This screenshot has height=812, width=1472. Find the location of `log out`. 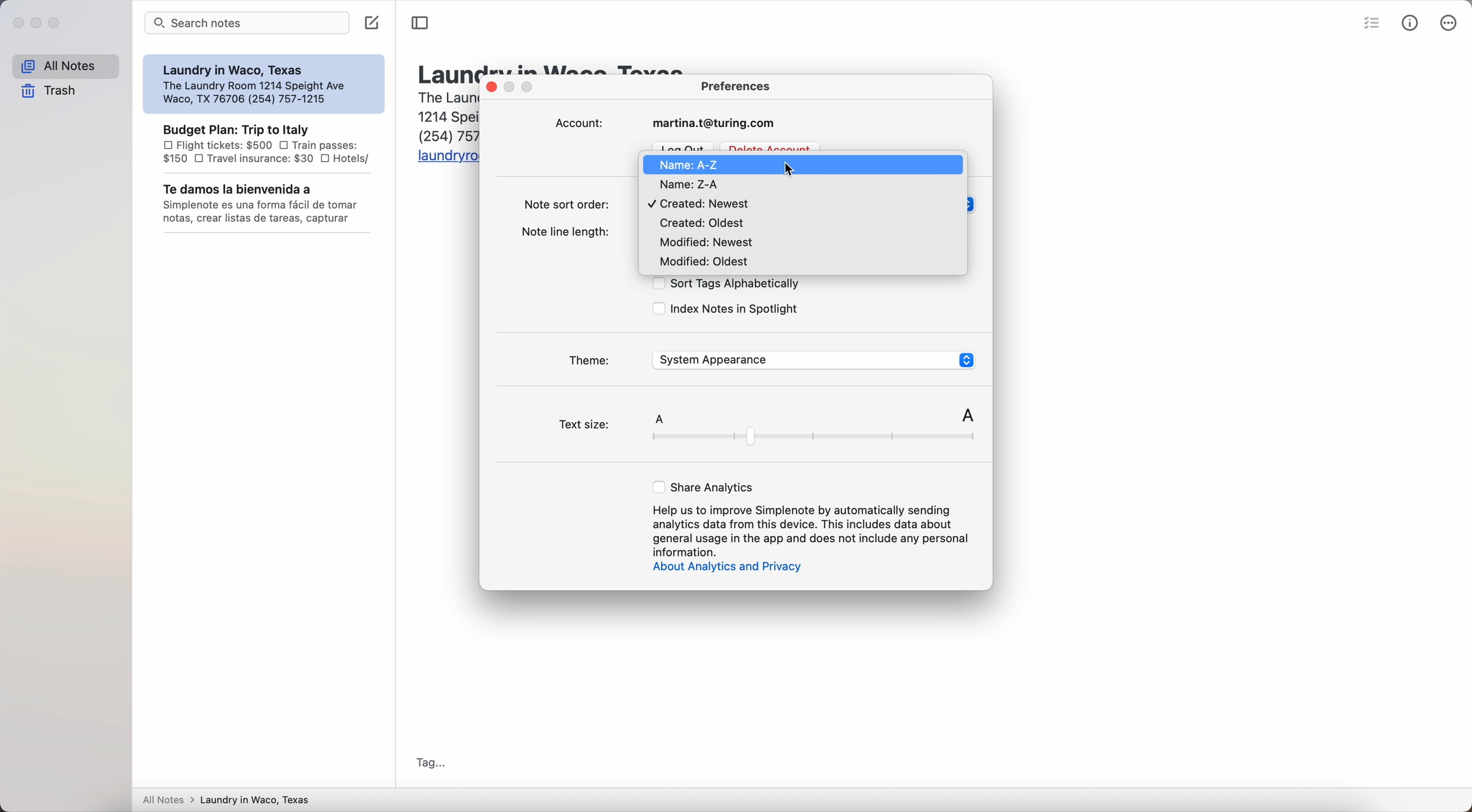

log out is located at coordinates (685, 146).